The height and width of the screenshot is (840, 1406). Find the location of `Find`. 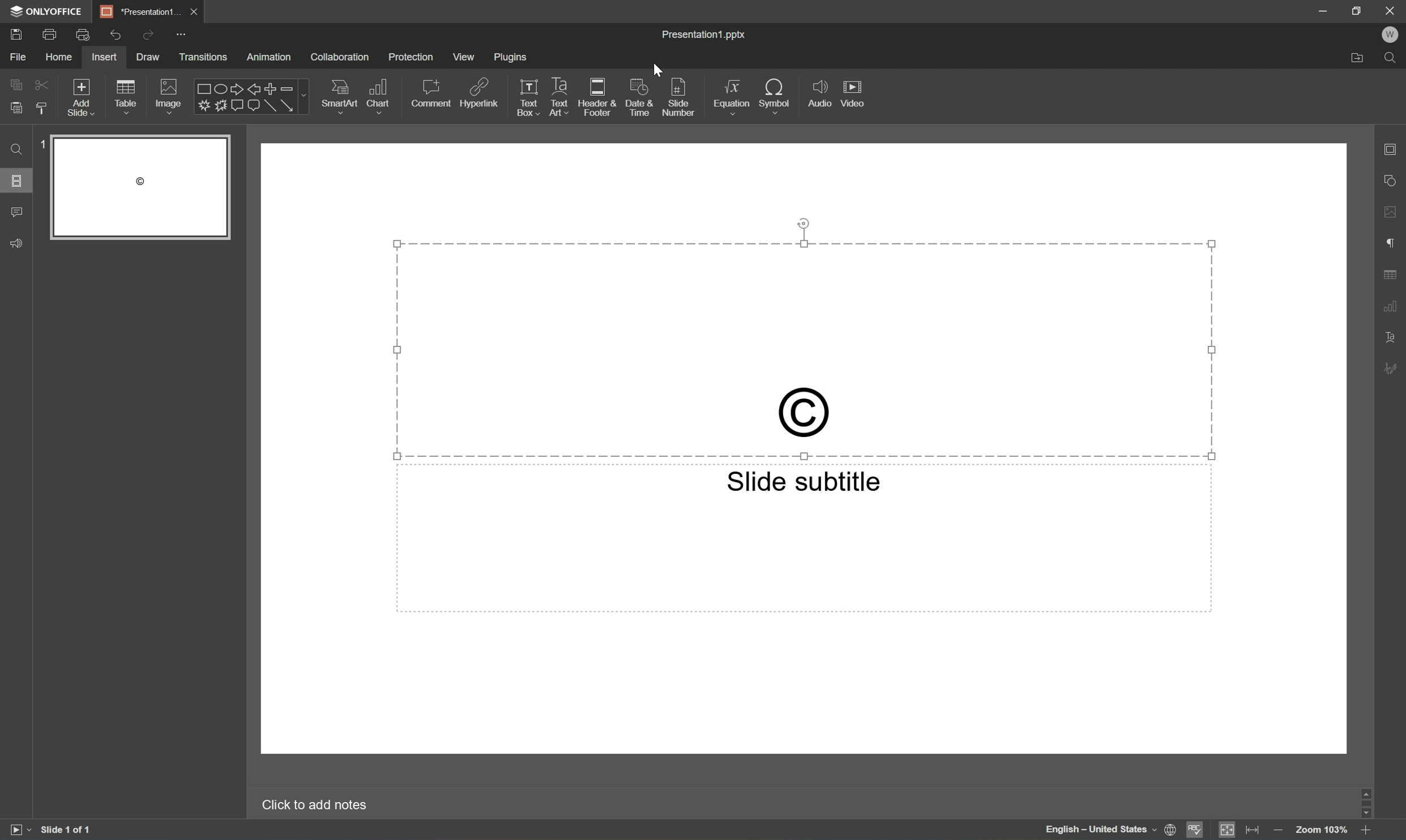

Find is located at coordinates (14, 148).